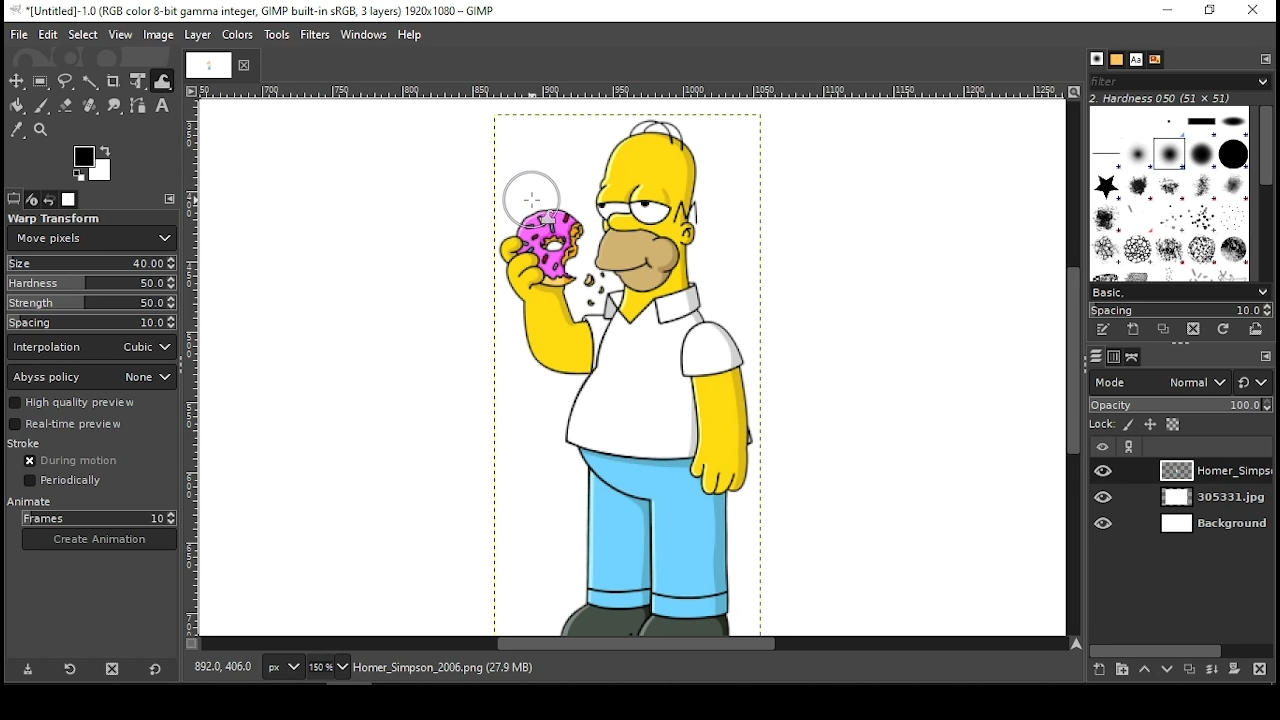 This screenshot has width=1280, height=720. Describe the element at coordinates (1150, 424) in the screenshot. I see `lock position and size` at that location.